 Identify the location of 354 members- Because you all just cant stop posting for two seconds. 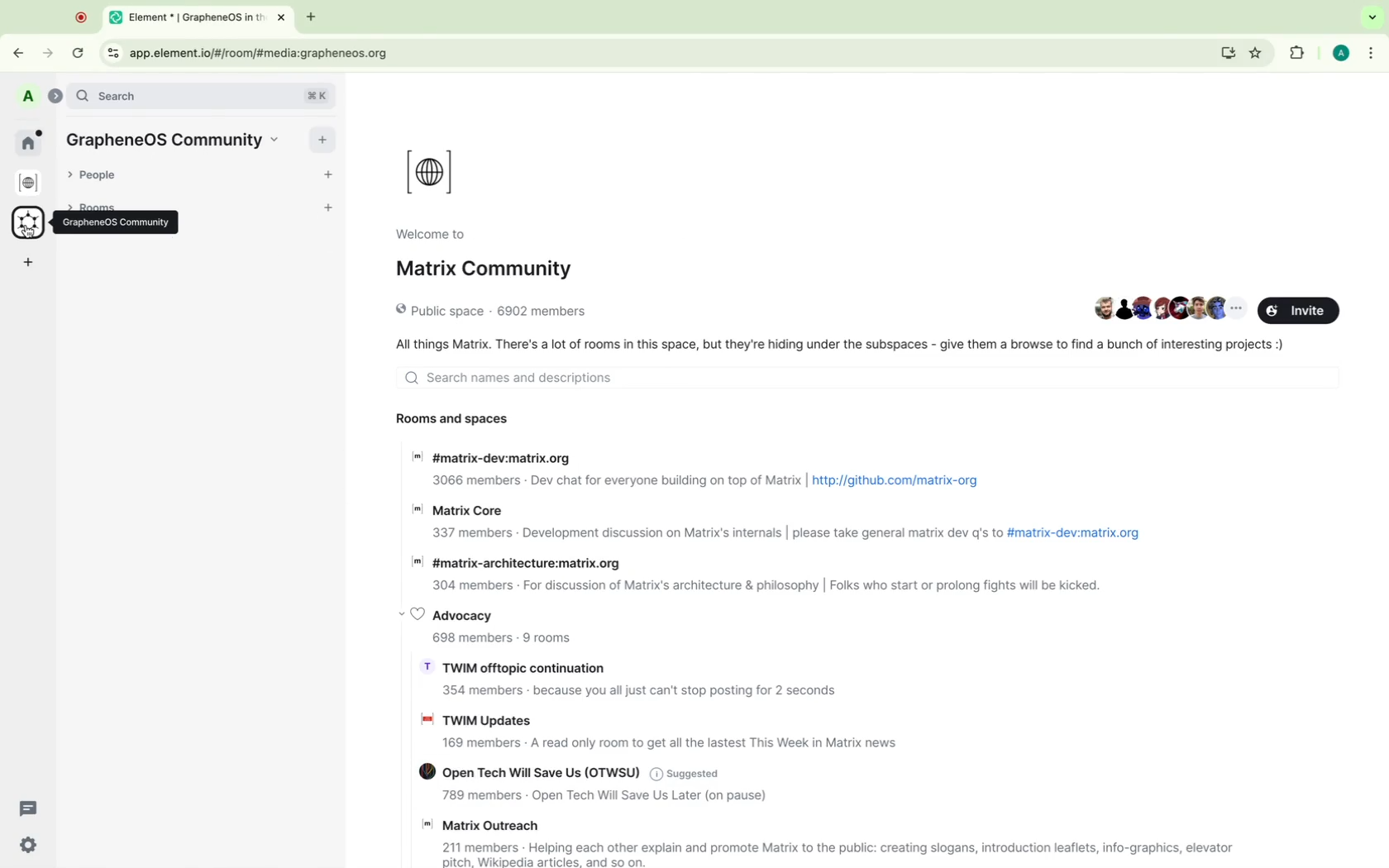
(640, 692).